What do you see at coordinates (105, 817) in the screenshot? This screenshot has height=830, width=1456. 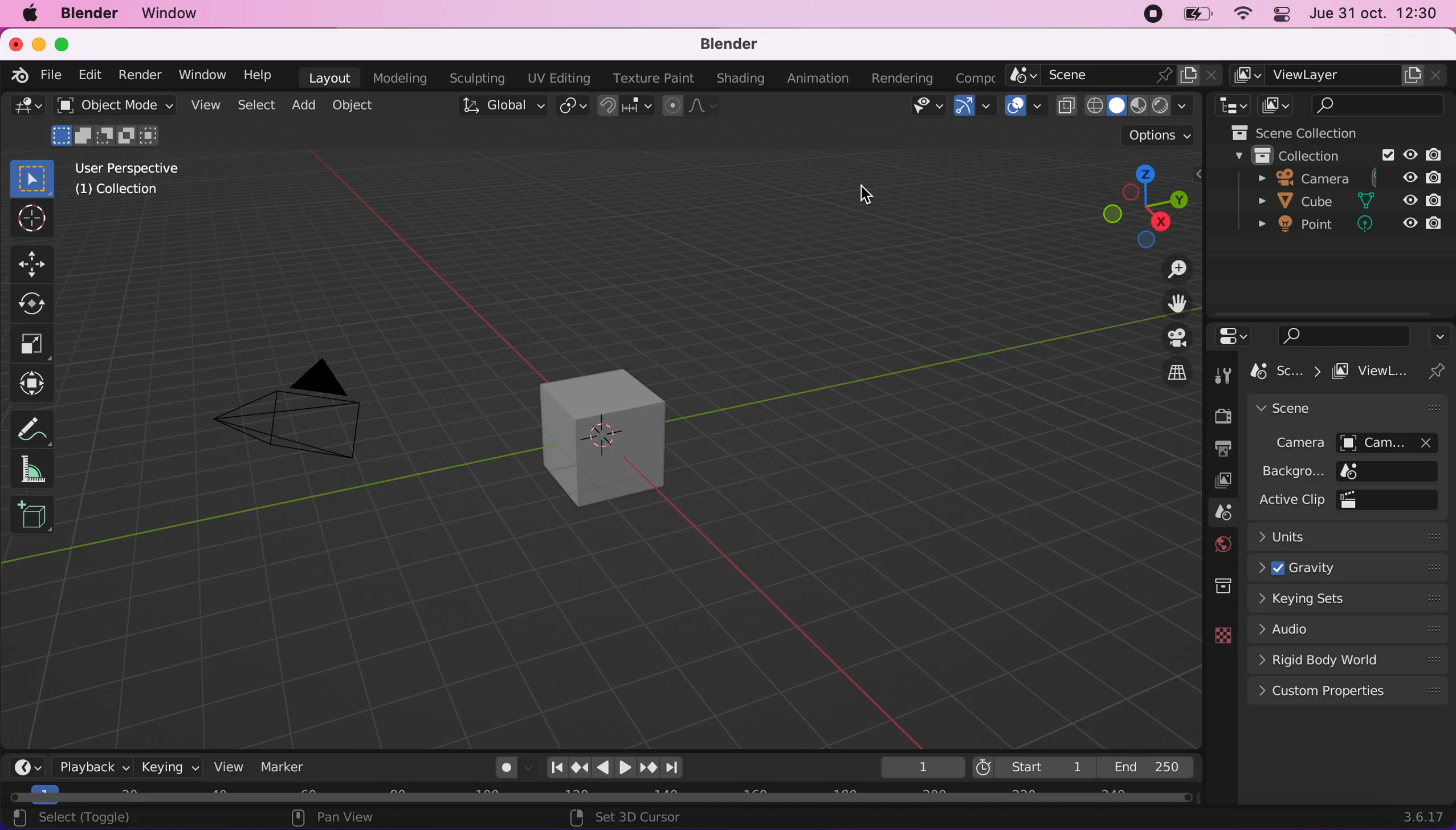 I see `select (toggle)` at bounding box center [105, 817].